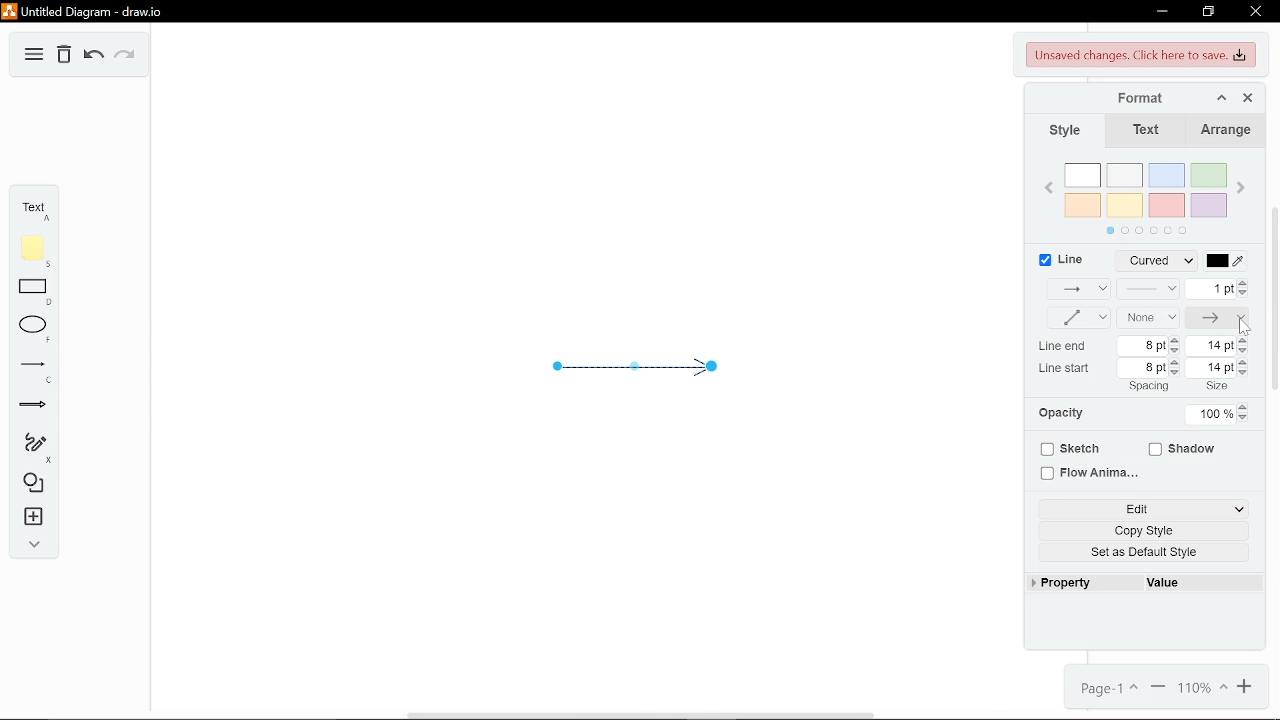  I want to click on Close format, so click(1248, 98).